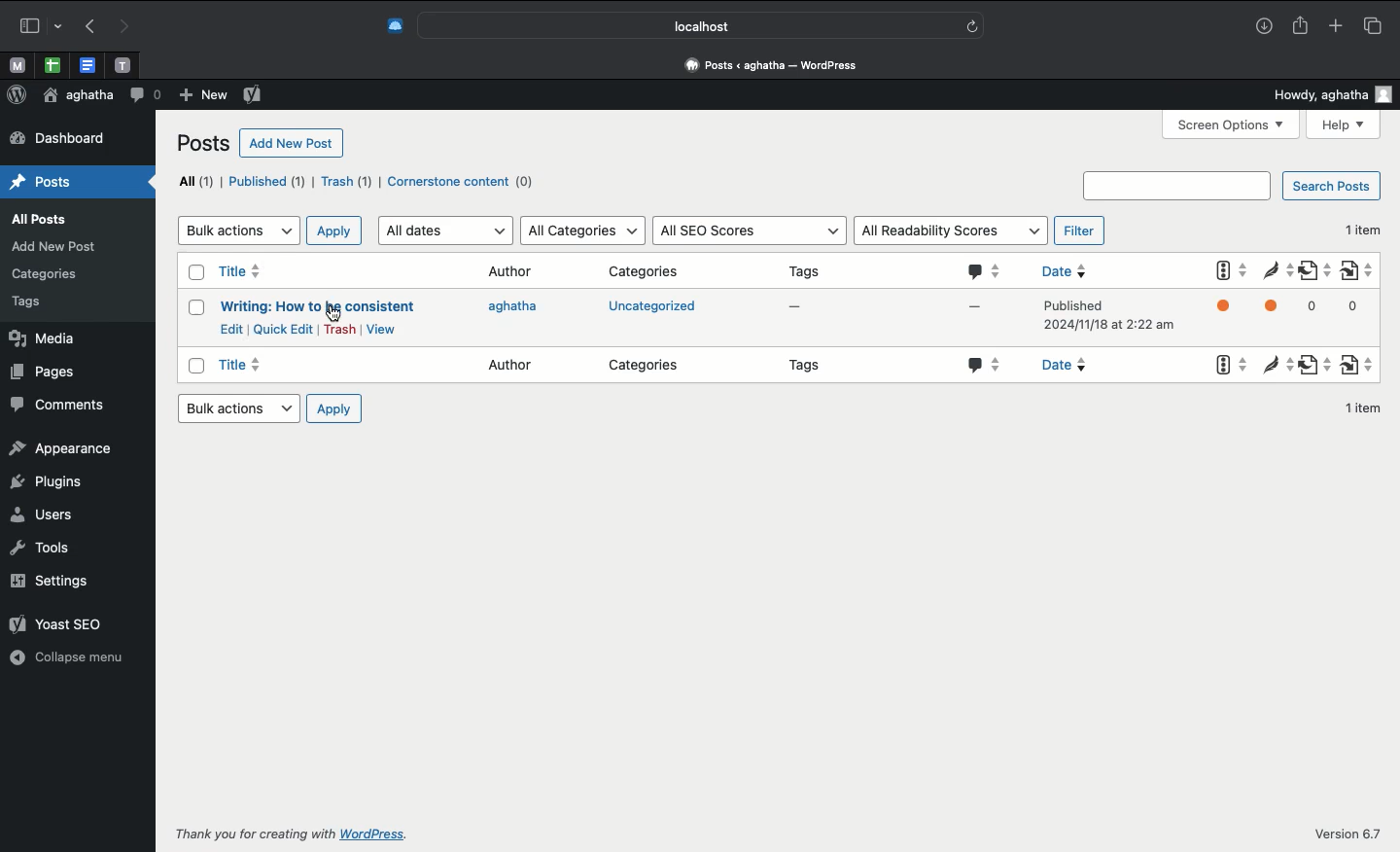  Describe the element at coordinates (44, 515) in the screenshot. I see `users` at that location.